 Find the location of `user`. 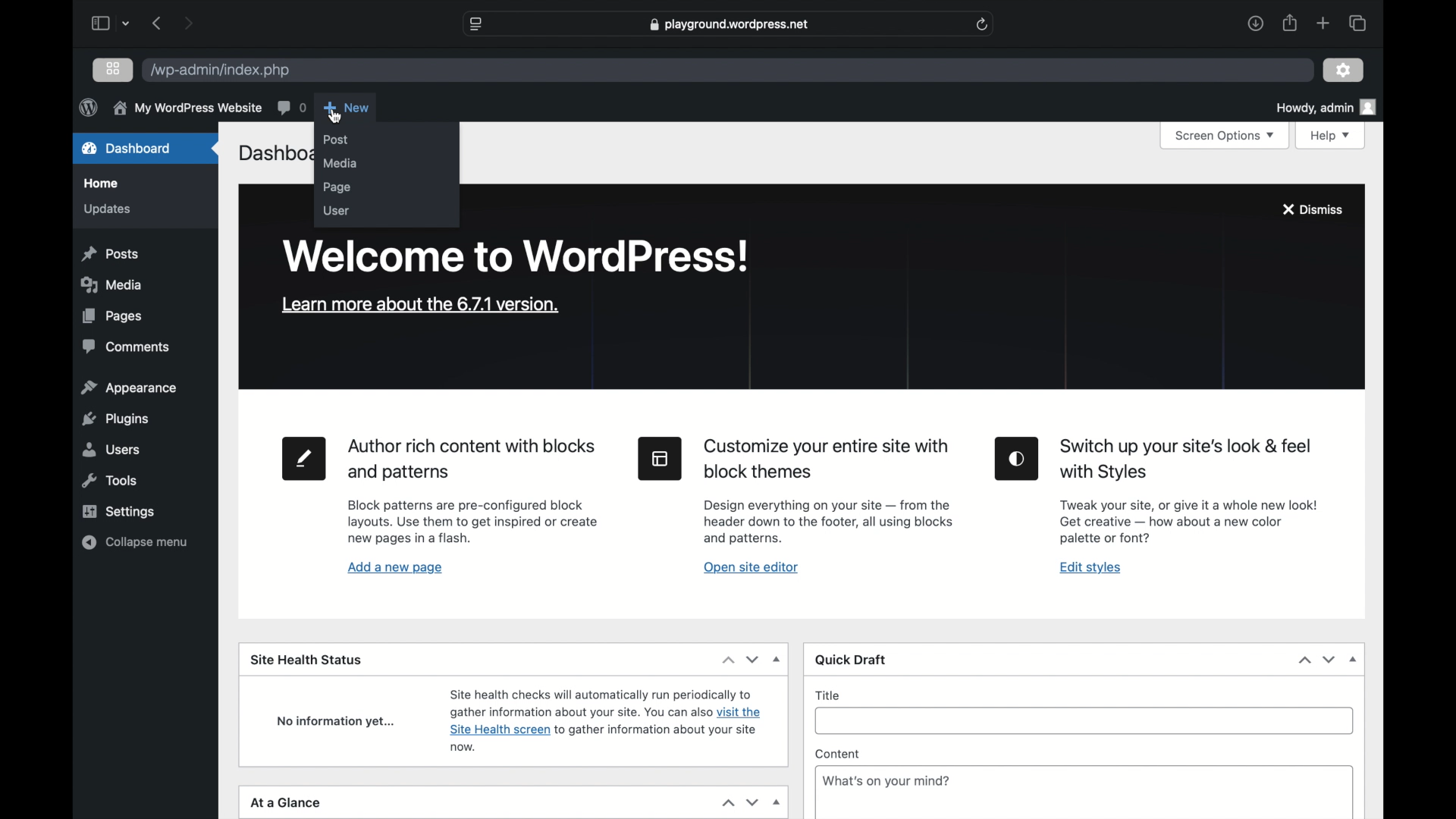

user is located at coordinates (336, 212).